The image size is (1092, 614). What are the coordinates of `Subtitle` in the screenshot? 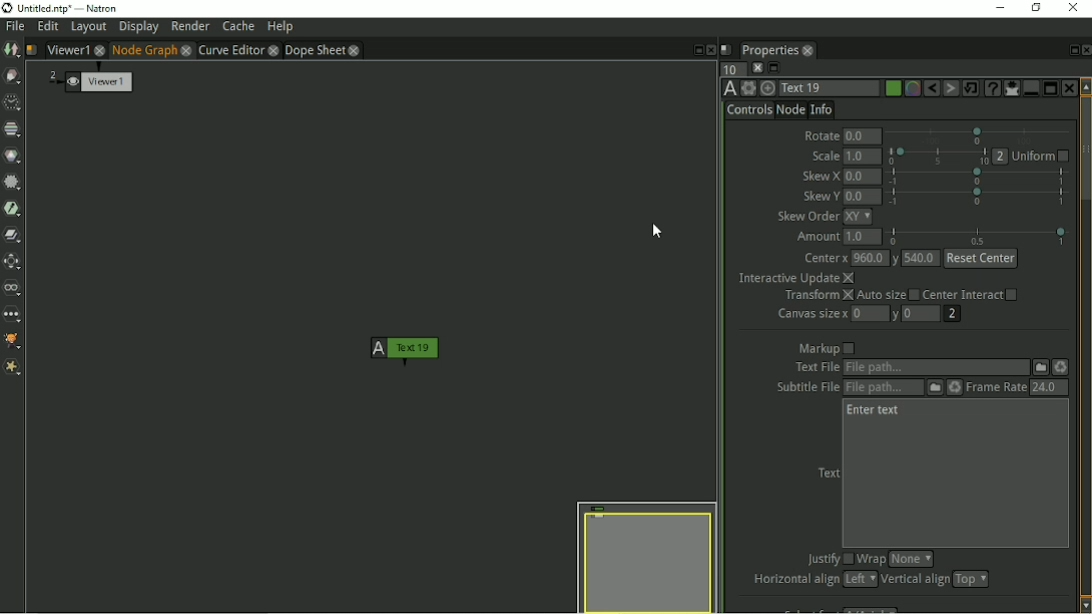 It's located at (933, 388).